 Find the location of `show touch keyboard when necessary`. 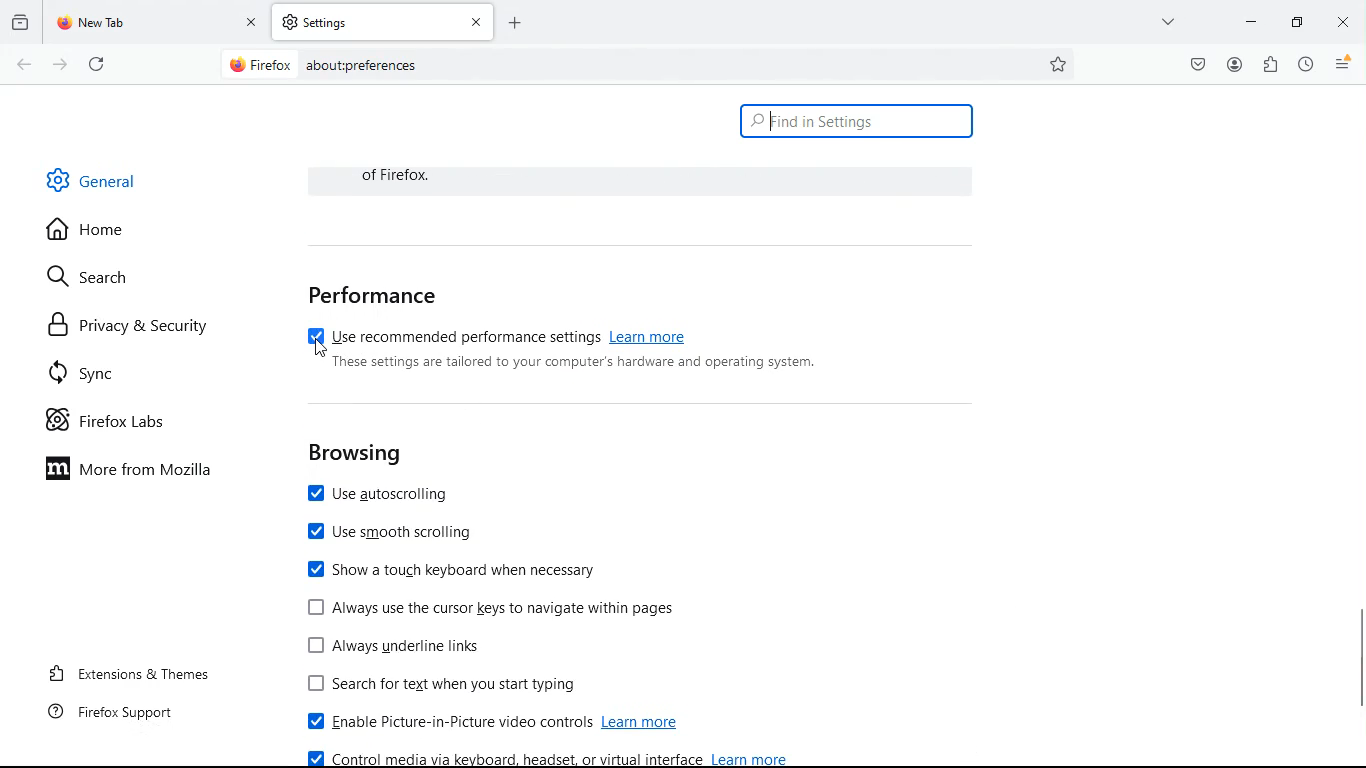

show touch keyboard when necessary is located at coordinates (453, 569).